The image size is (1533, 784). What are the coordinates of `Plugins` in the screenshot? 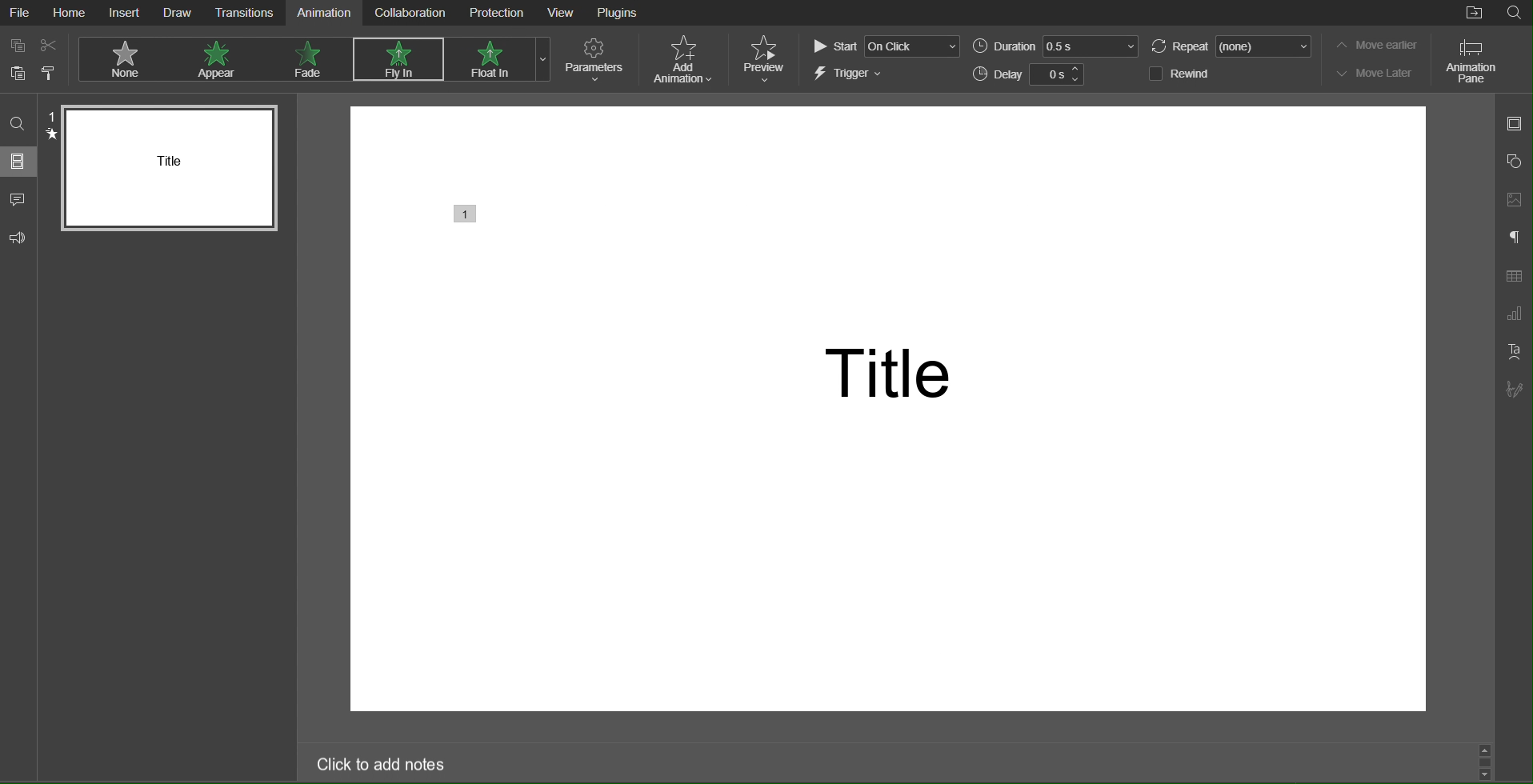 It's located at (618, 14).